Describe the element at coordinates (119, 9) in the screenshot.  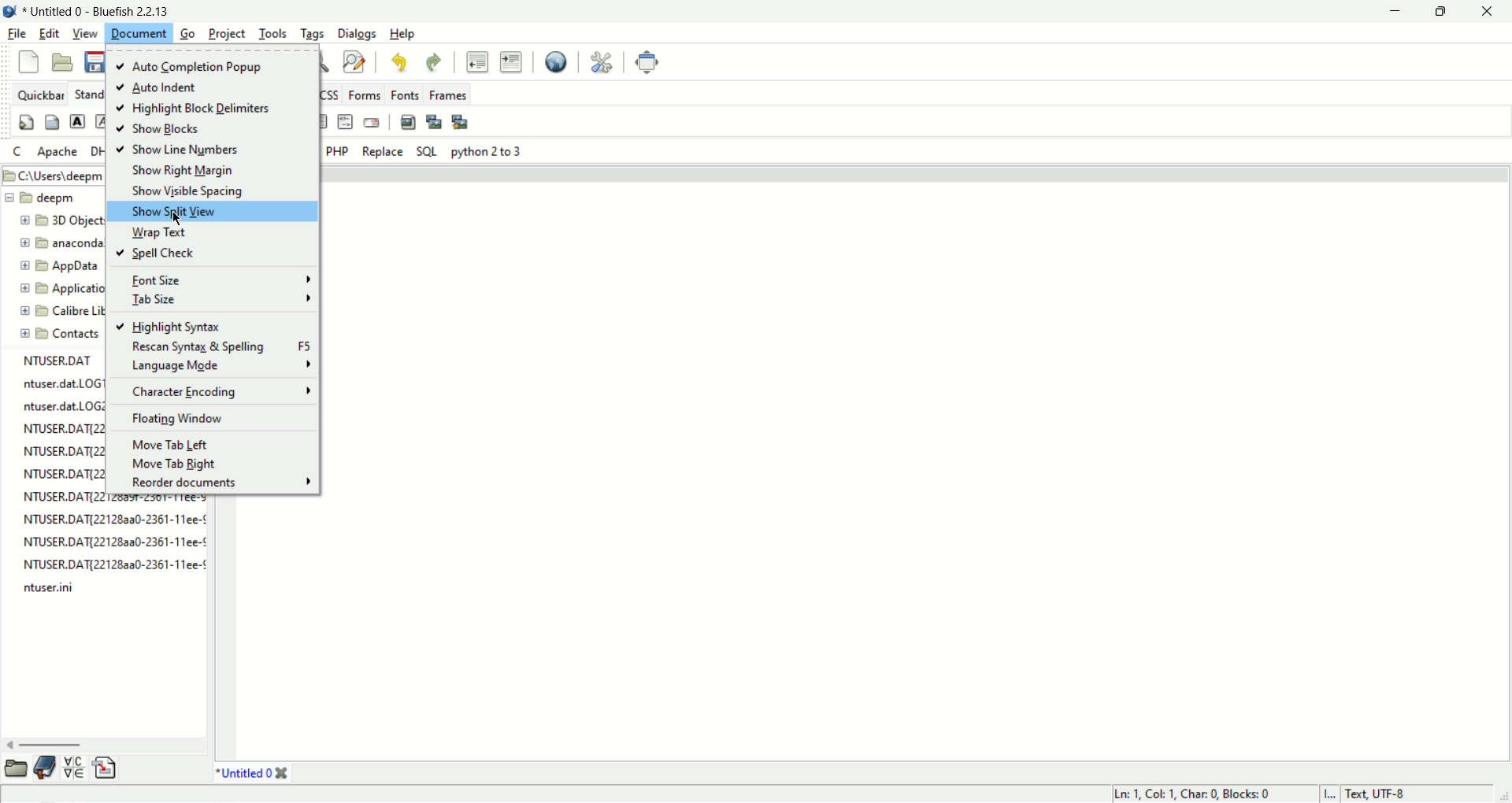
I see `Untitled 0- Bluefish 2.2.13` at that location.